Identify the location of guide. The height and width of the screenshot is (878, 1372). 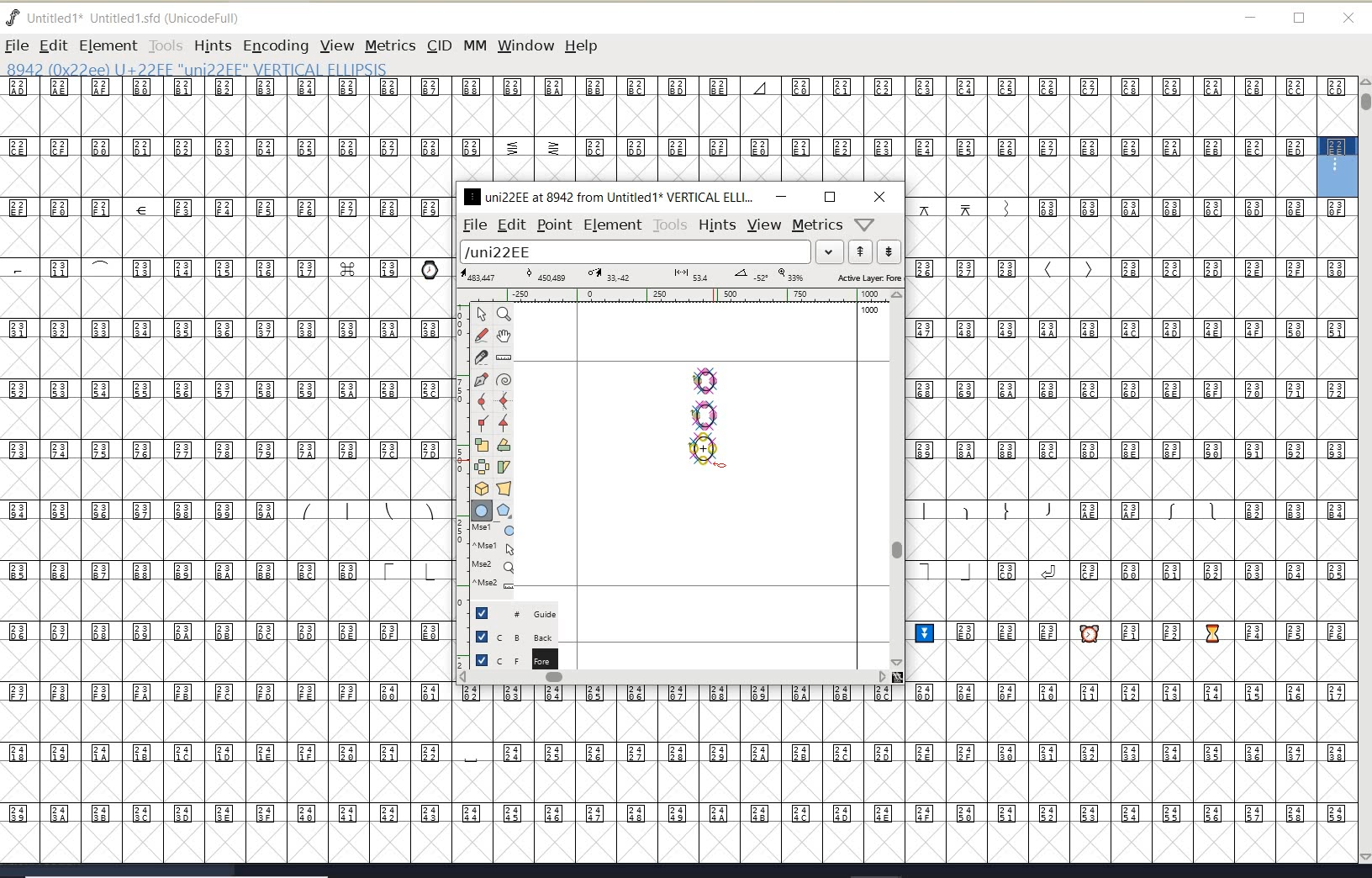
(522, 611).